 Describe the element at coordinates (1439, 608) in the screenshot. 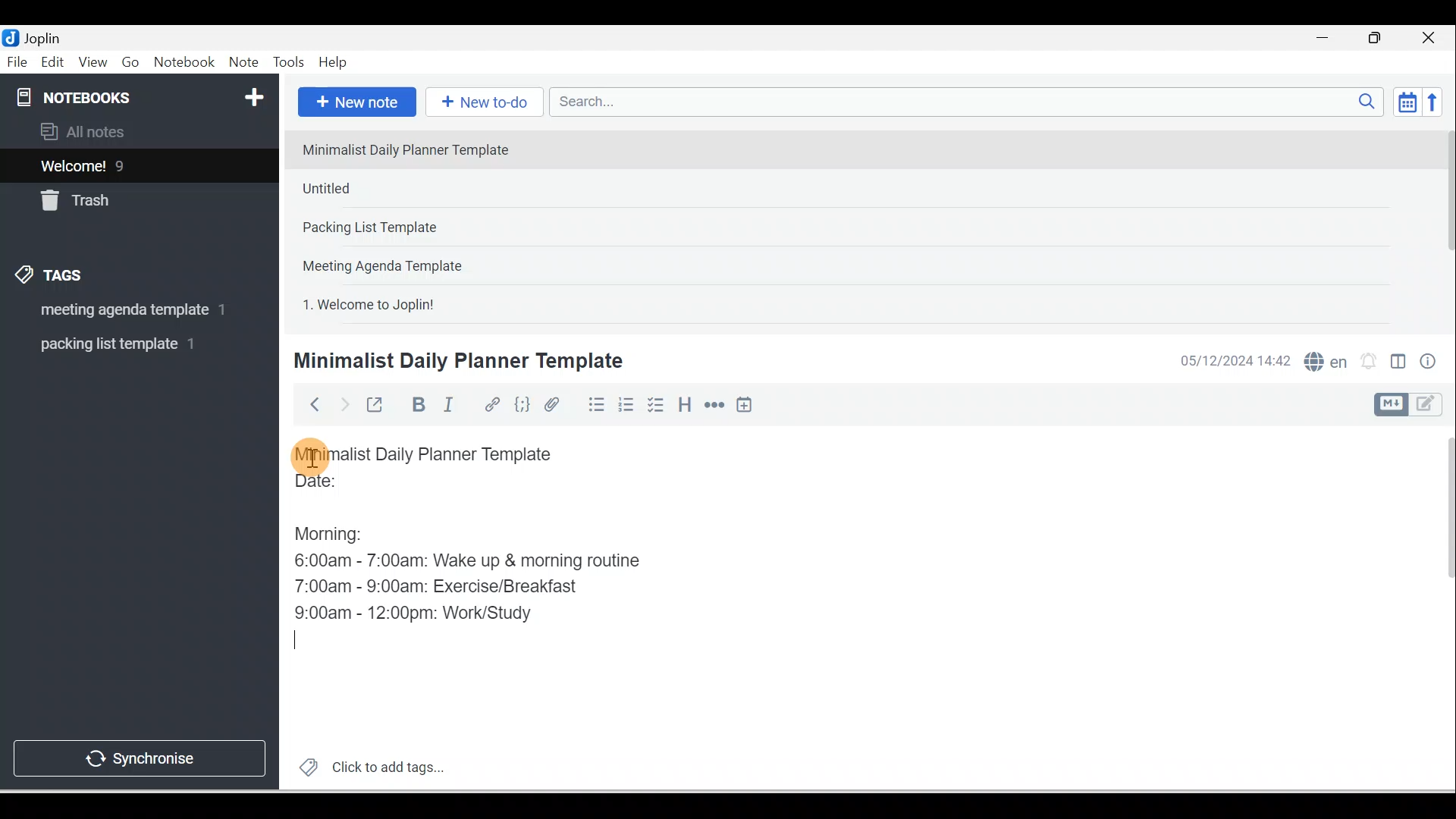

I see `Scroll bar` at that location.